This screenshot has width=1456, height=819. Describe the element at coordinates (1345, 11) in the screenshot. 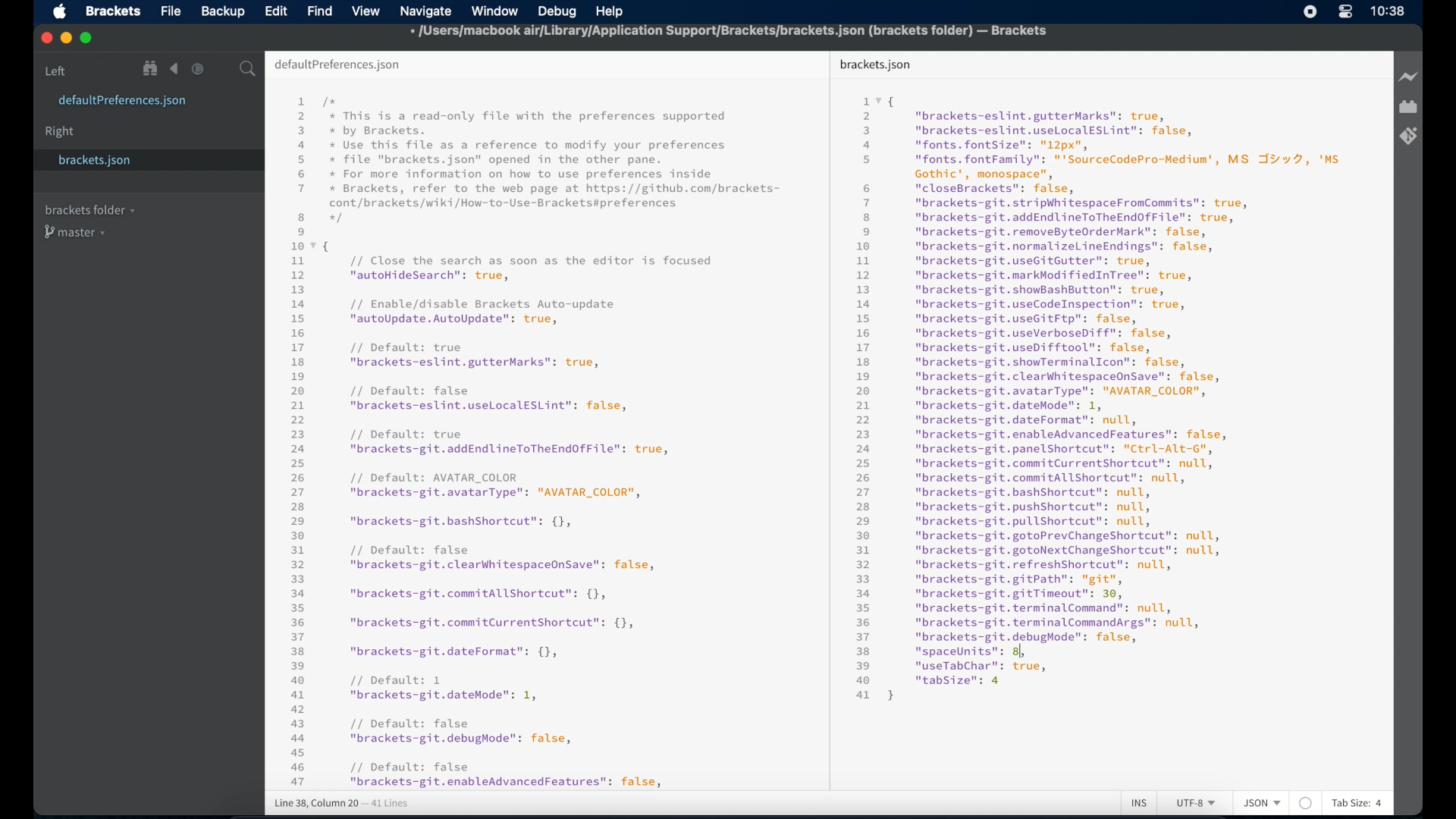

I see `control center` at that location.